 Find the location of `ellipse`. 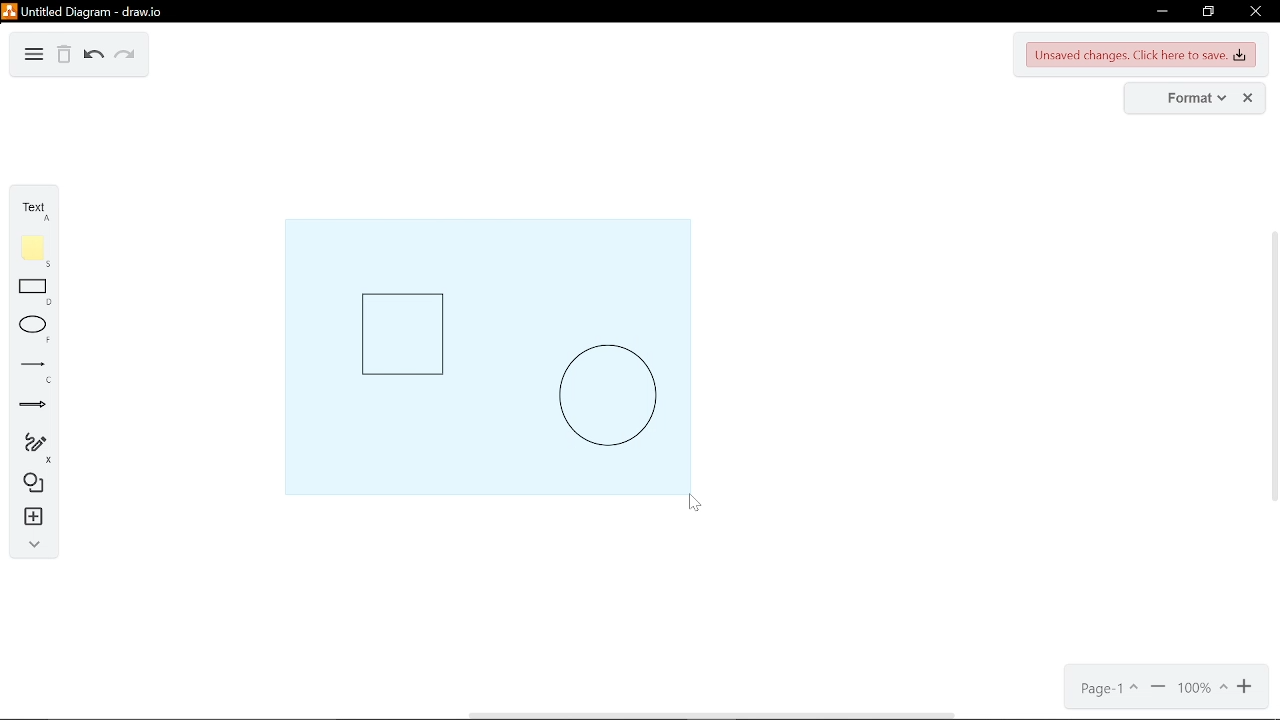

ellipse is located at coordinates (30, 332).